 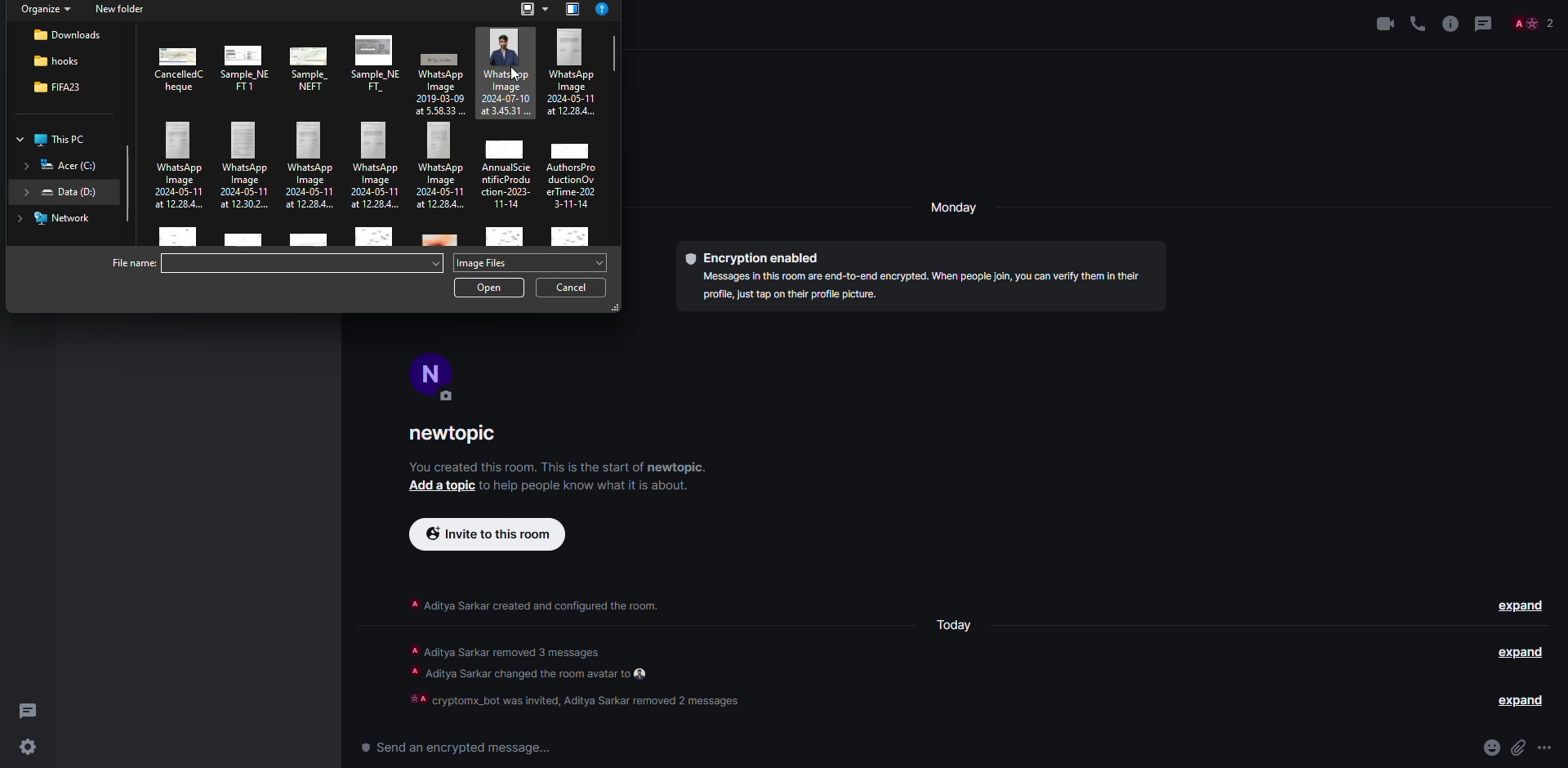 What do you see at coordinates (439, 78) in the screenshot?
I see `click to select` at bounding box center [439, 78].